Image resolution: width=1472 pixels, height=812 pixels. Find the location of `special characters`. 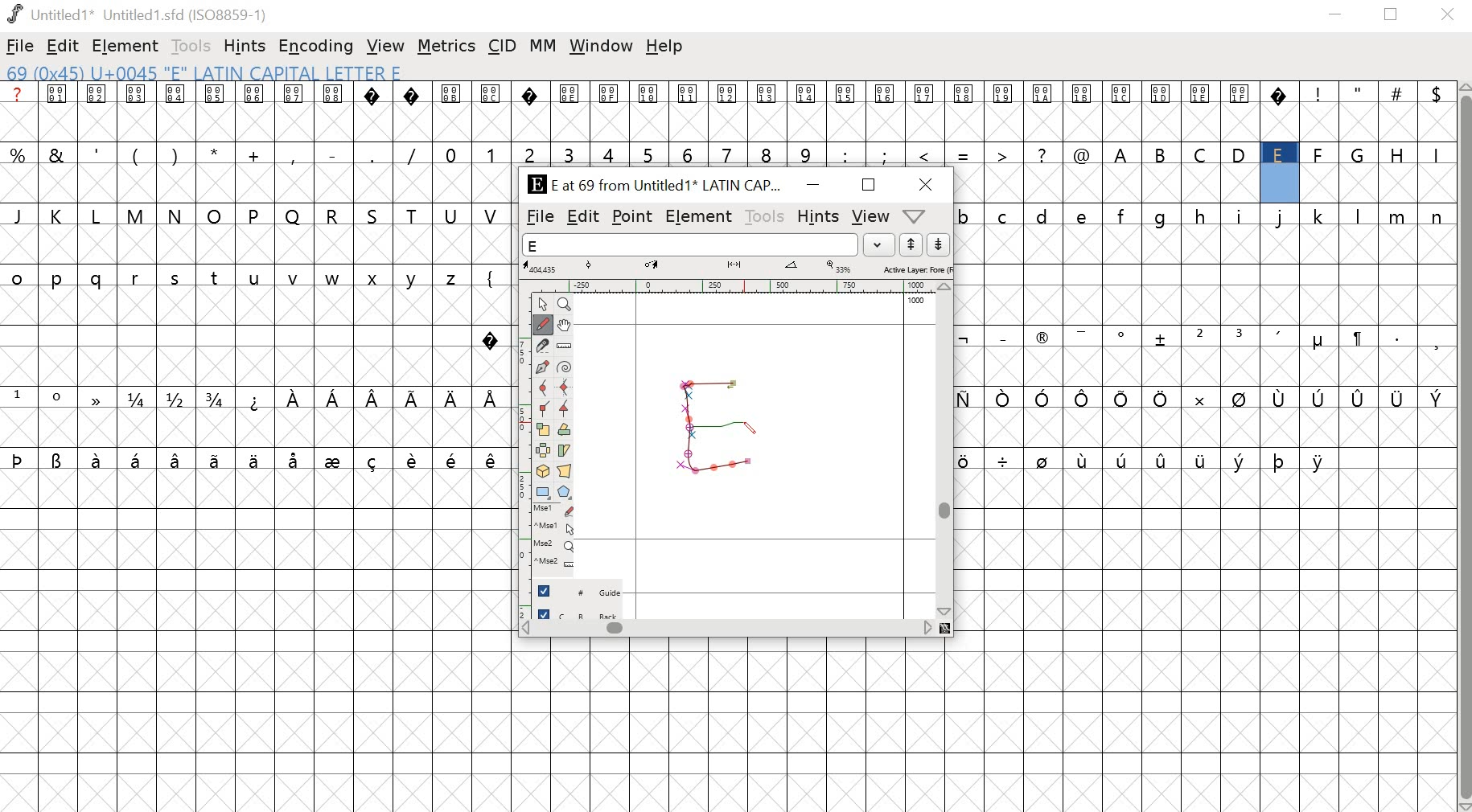

special characters is located at coordinates (254, 461).